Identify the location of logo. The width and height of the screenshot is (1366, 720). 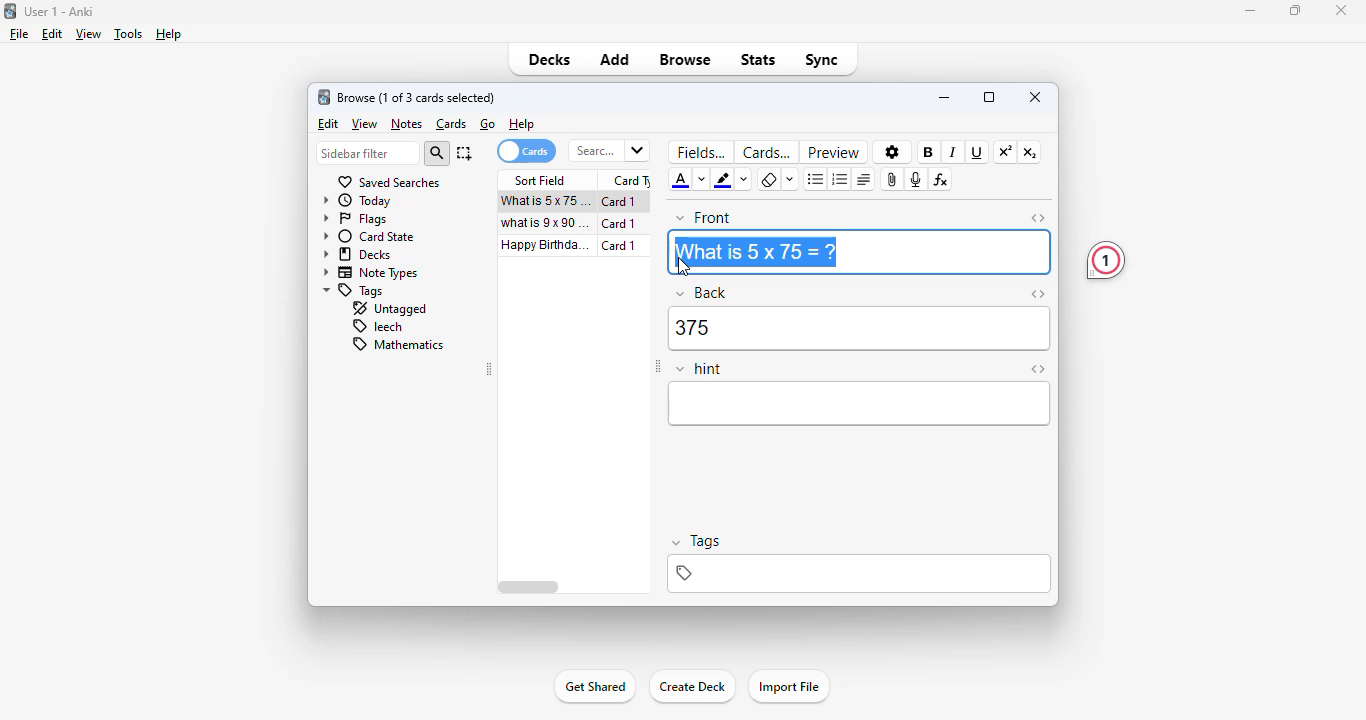
(324, 97).